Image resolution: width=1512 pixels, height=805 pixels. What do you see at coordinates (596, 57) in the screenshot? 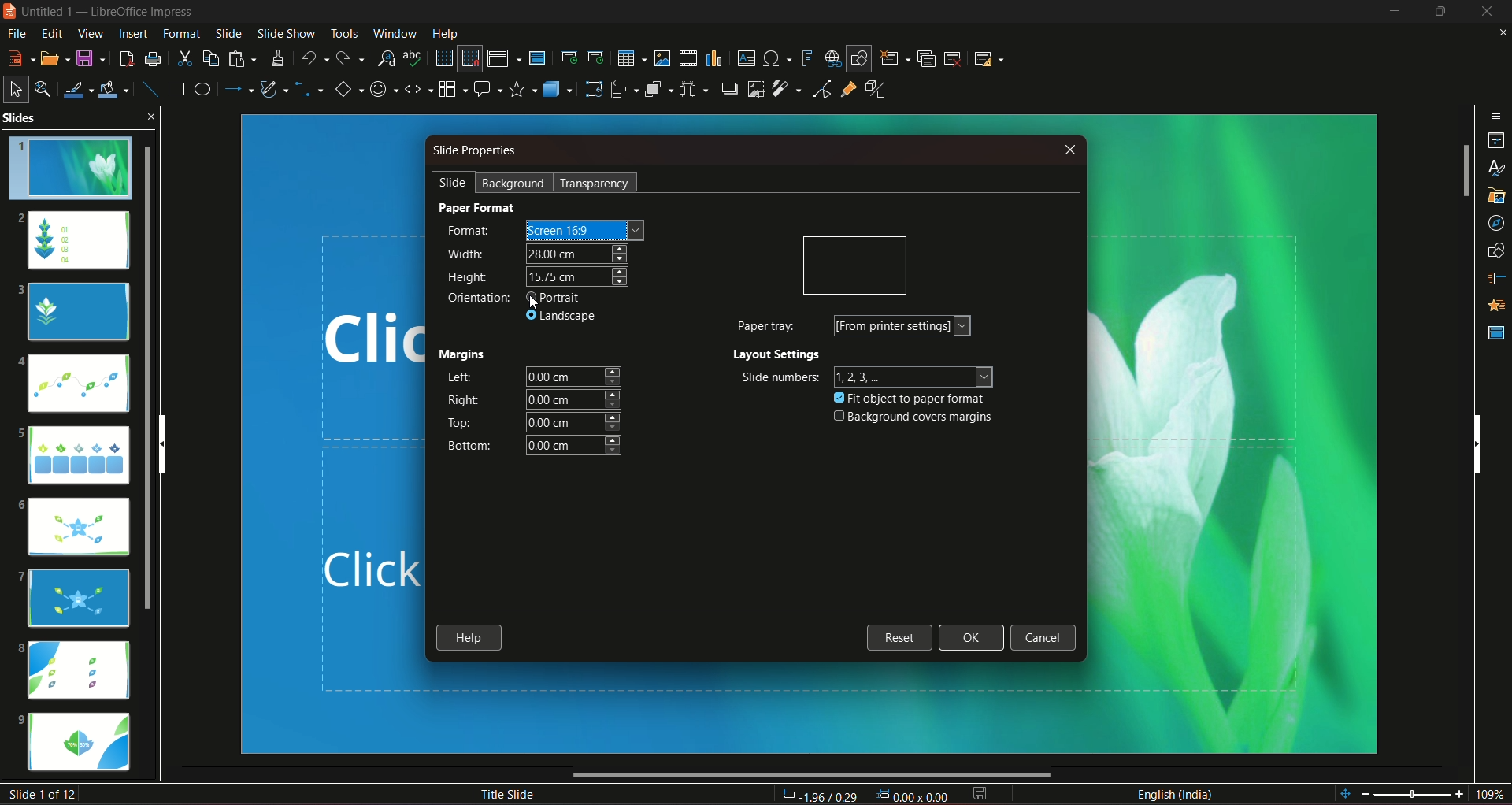
I see `start from the current slide` at bounding box center [596, 57].